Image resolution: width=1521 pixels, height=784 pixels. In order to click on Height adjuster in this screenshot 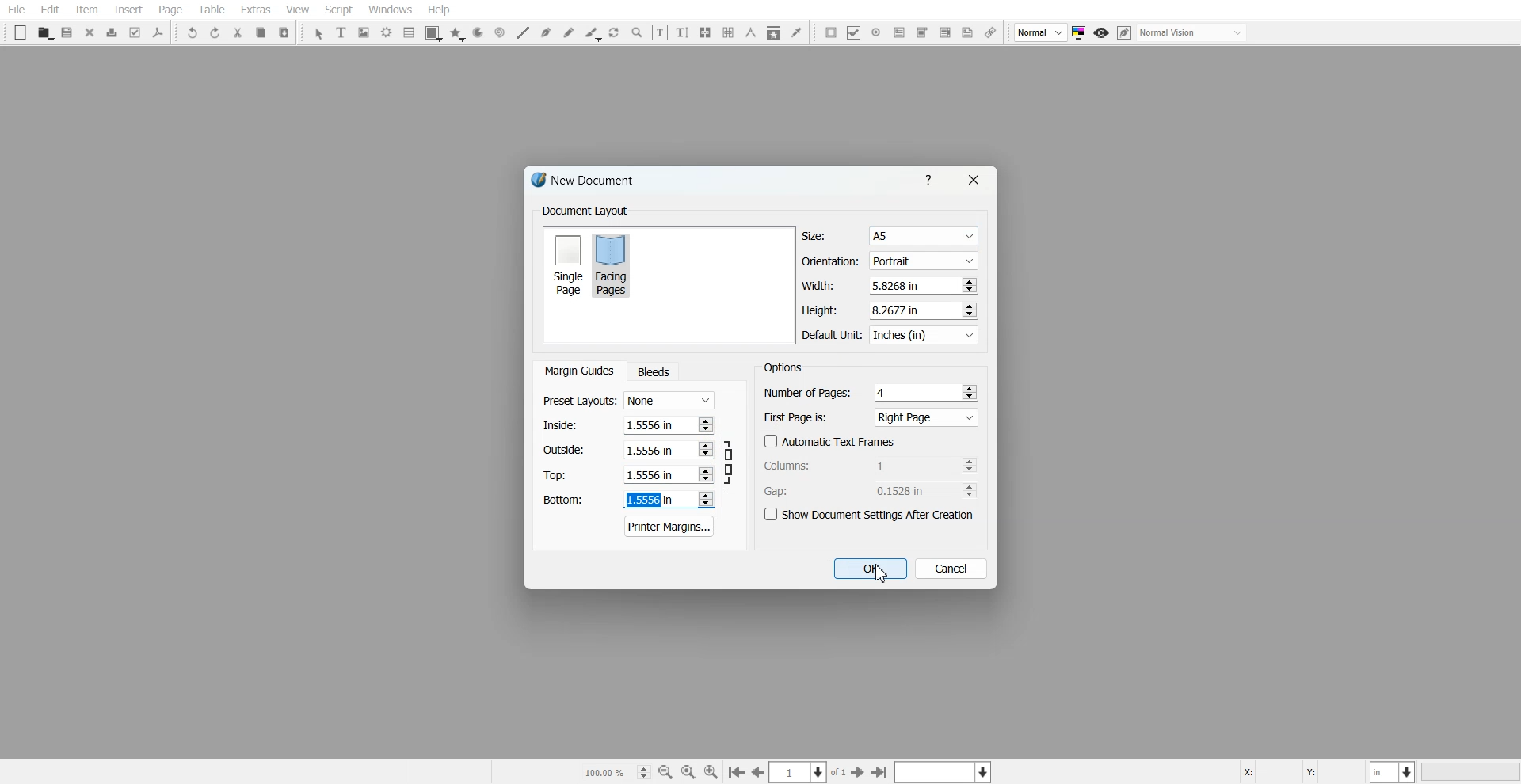, I will do `click(890, 310)`.